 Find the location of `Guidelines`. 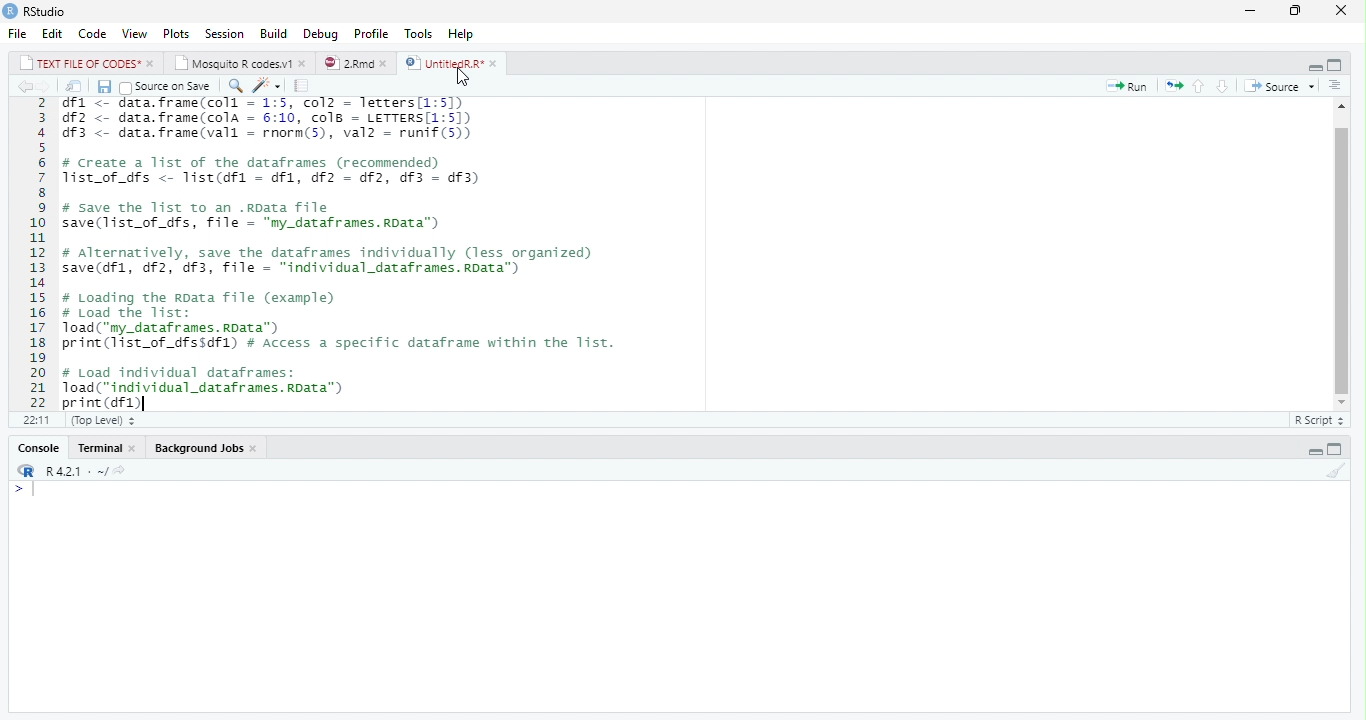

Guidelines is located at coordinates (303, 86).